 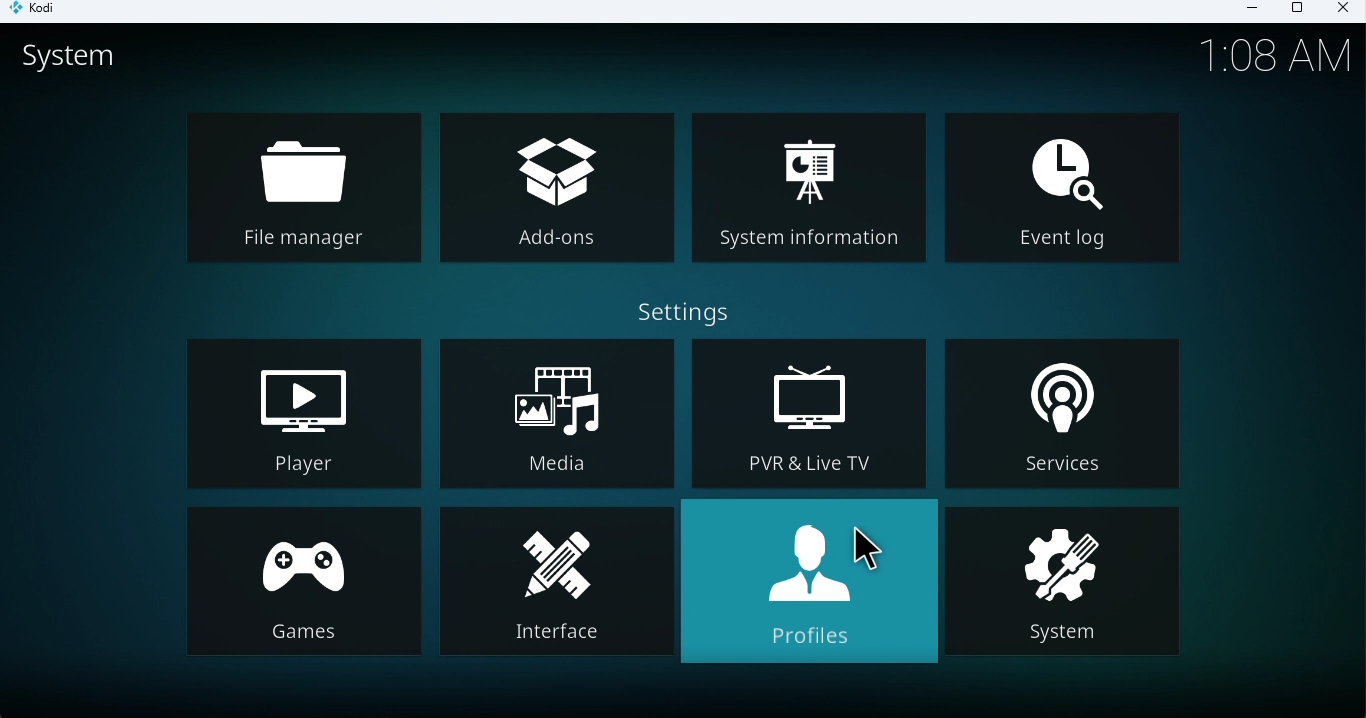 I want to click on Serives, so click(x=1071, y=410).